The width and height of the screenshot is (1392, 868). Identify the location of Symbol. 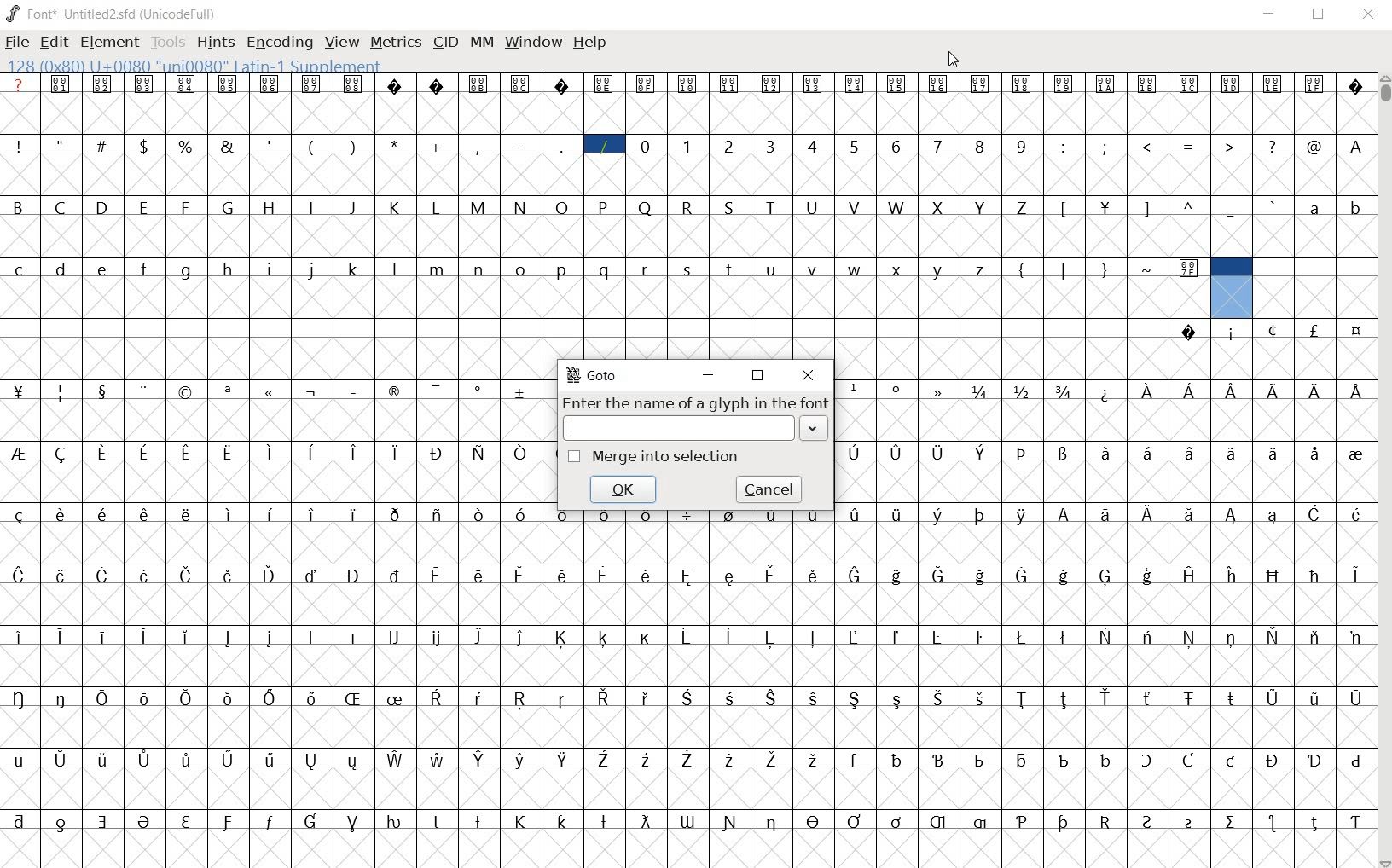
(858, 84).